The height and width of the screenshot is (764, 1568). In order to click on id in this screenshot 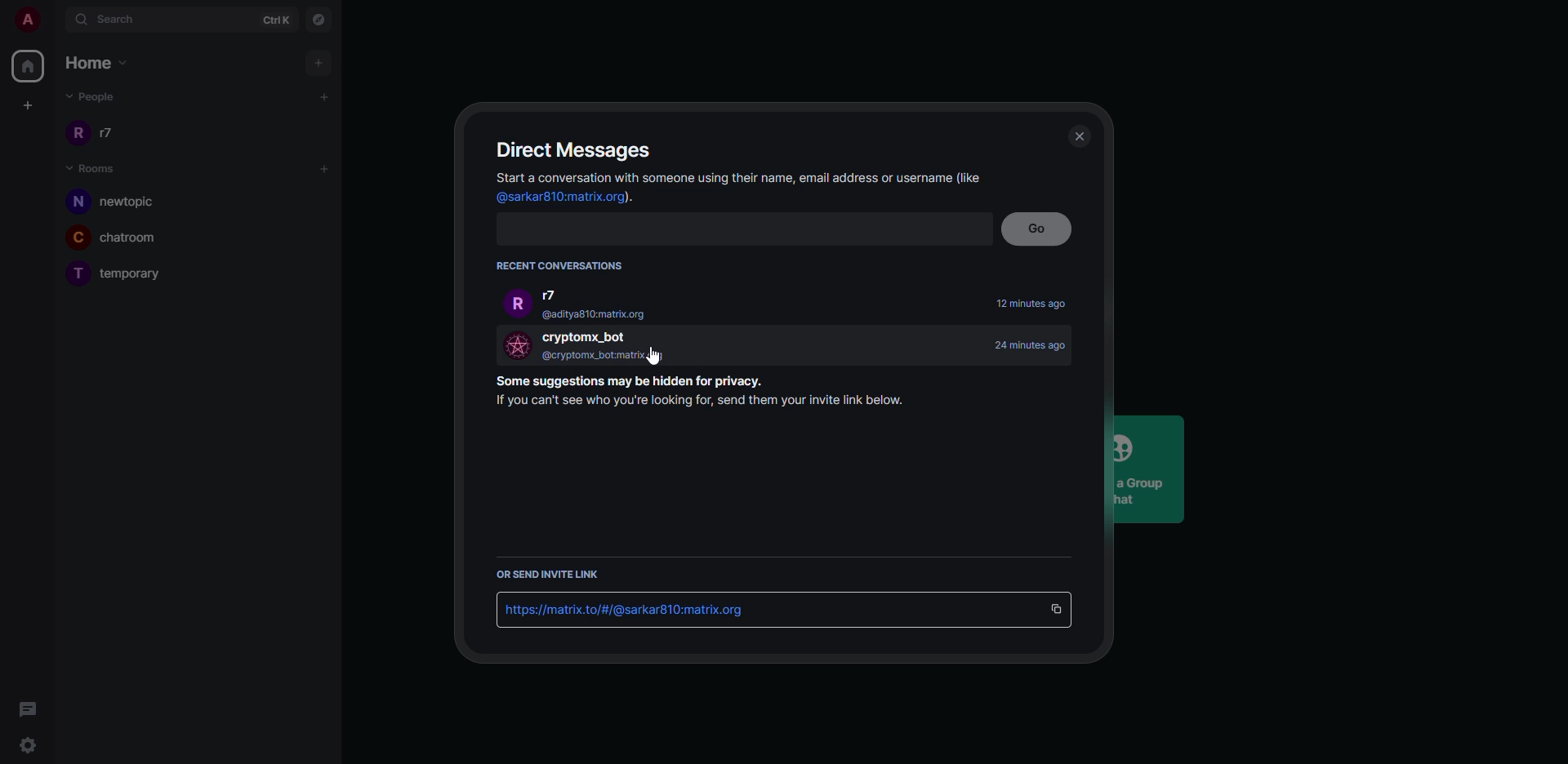, I will do `click(625, 611)`.